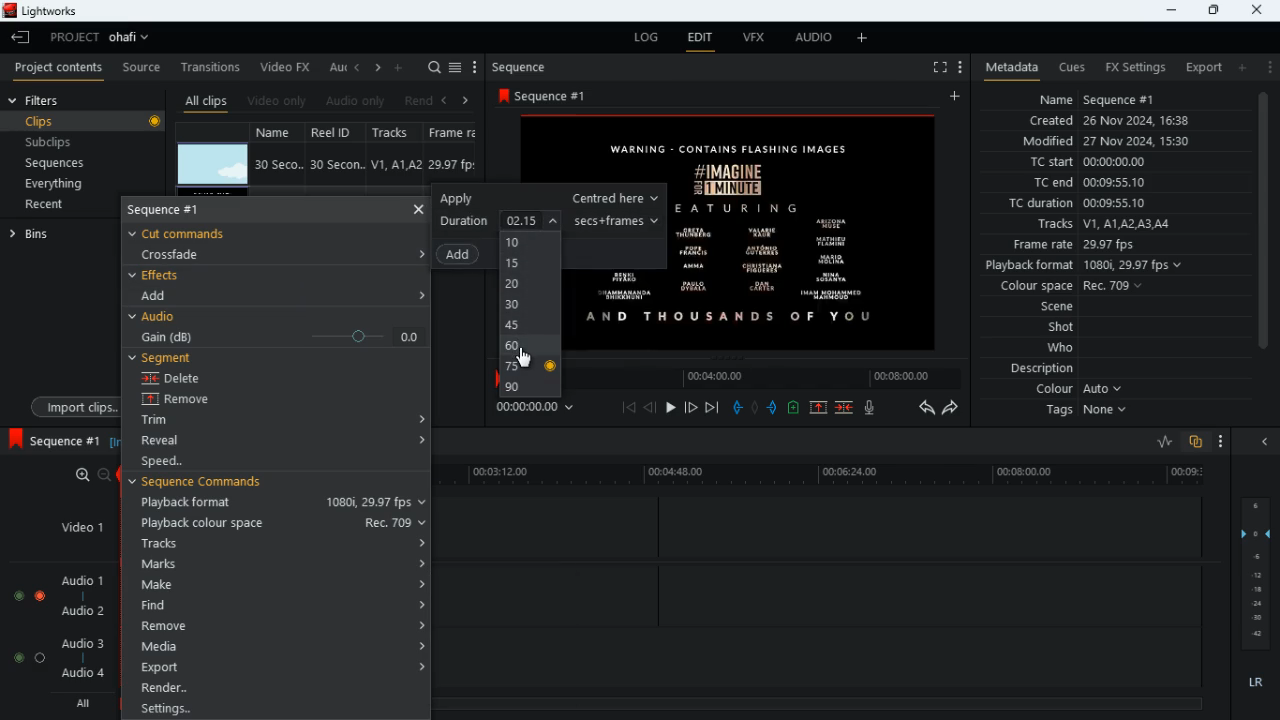 Image resolution: width=1280 pixels, height=720 pixels. Describe the element at coordinates (958, 66) in the screenshot. I see `more` at that location.